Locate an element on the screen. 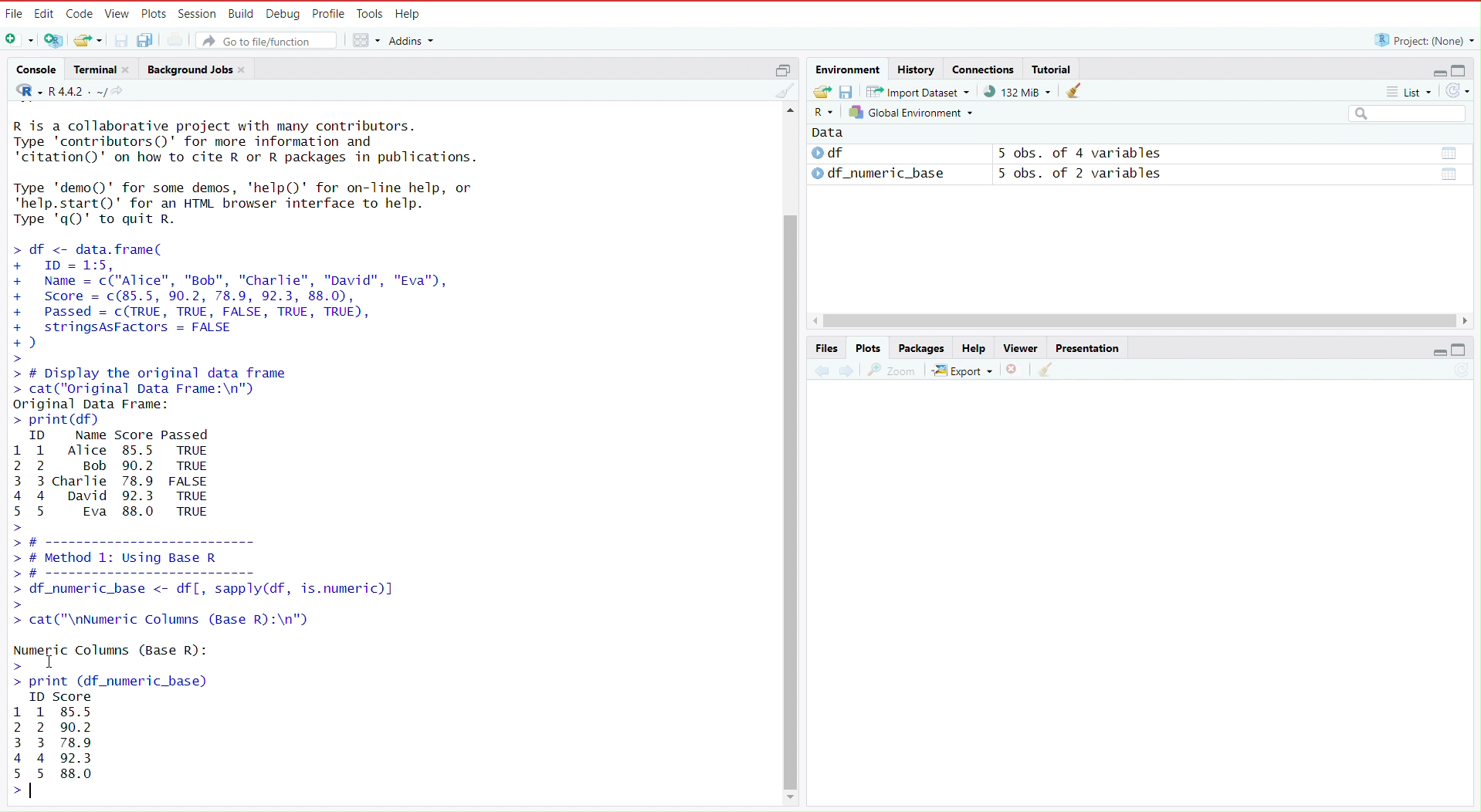 The width and height of the screenshot is (1481, 812). Go to file/function is located at coordinates (269, 39).